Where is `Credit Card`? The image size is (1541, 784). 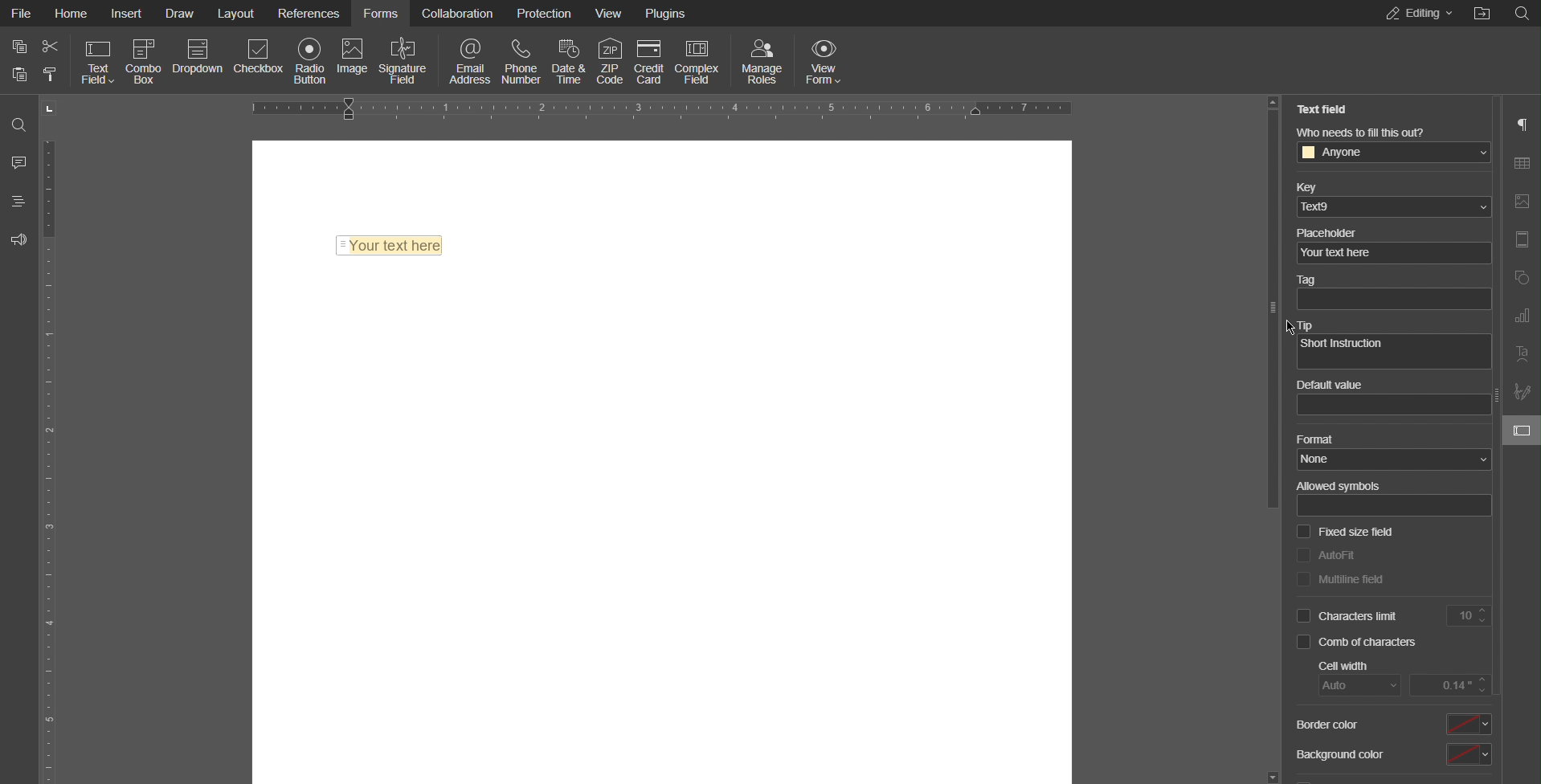
Credit Card is located at coordinates (650, 59).